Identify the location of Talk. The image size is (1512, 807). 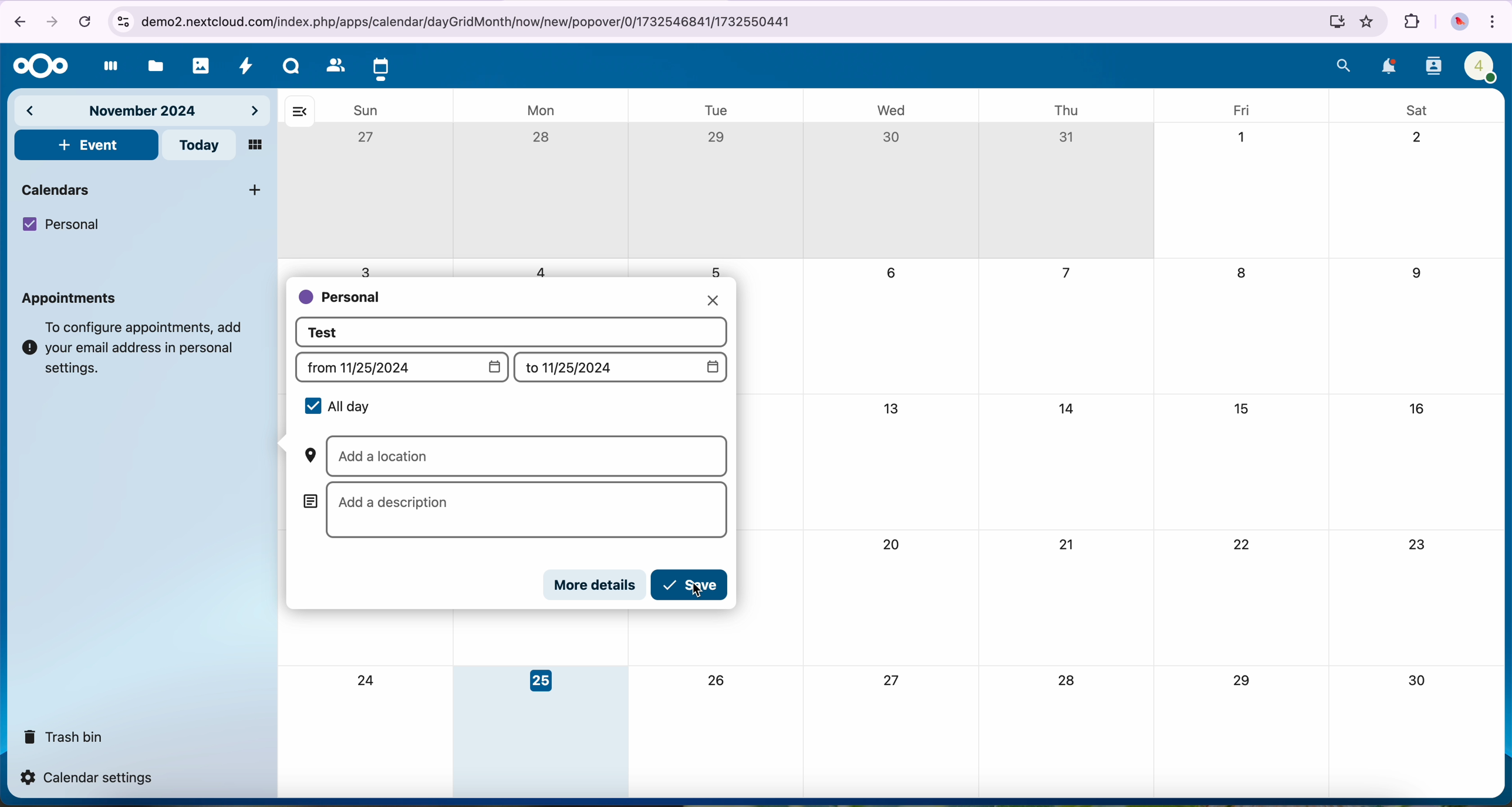
(291, 66).